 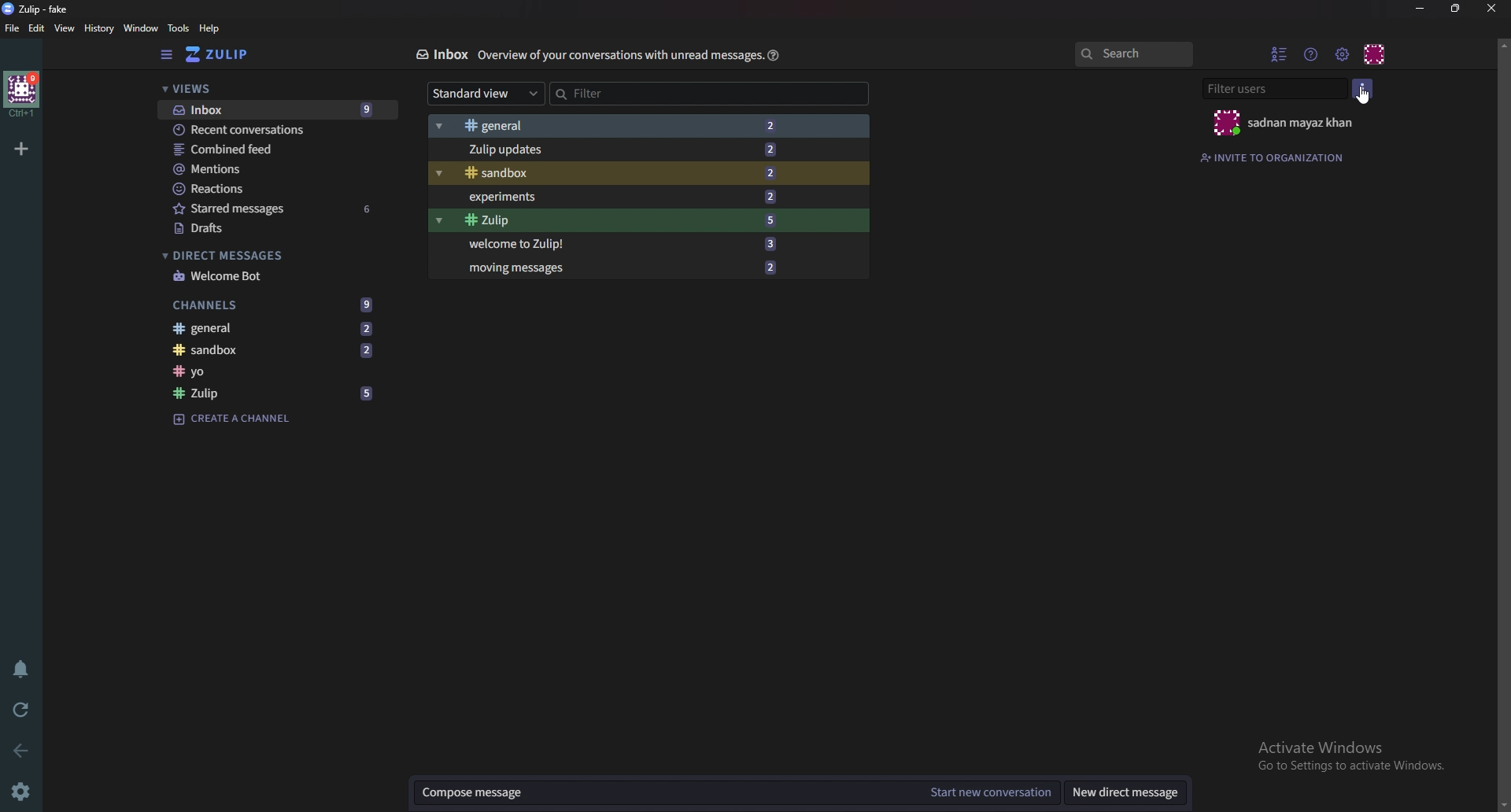 I want to click on Main menu, so click(x=1342, y=54).